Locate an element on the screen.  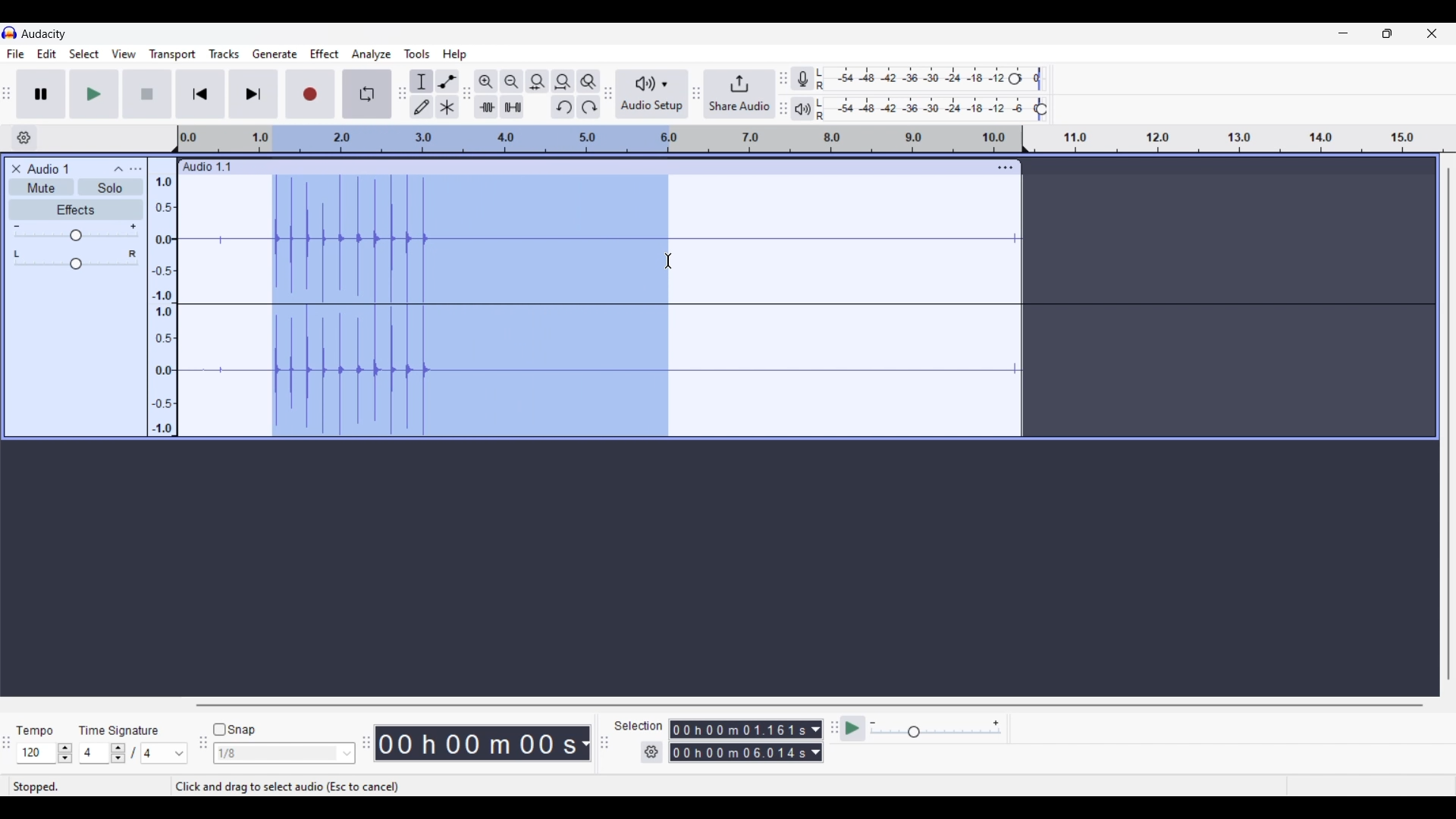
Close is located at coordinates (16, 169).